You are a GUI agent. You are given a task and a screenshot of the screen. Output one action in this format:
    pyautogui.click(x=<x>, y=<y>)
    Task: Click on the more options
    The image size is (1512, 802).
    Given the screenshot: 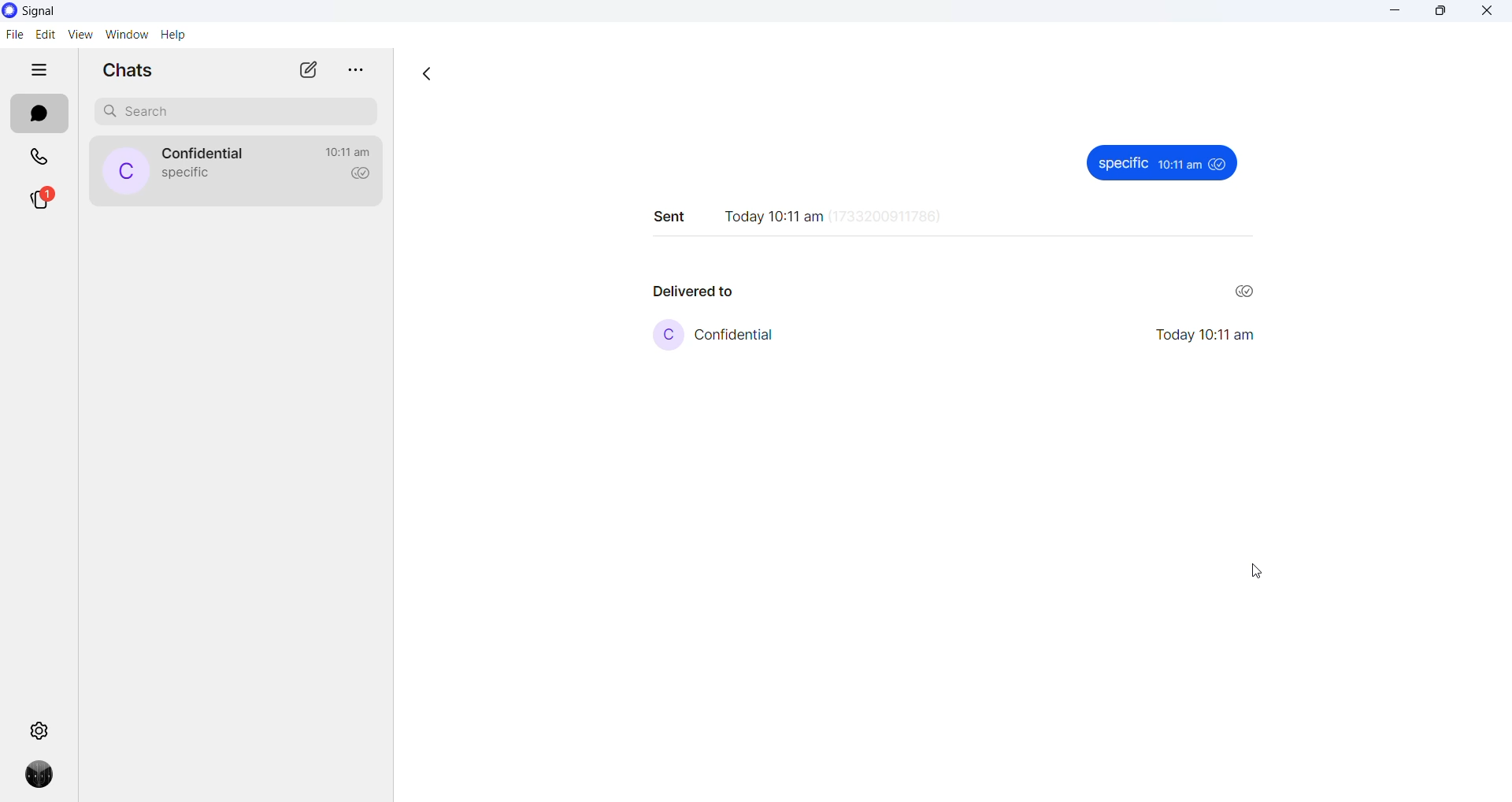 What is the action you would take?
    pyautogui.click(x=356, y=69)
    